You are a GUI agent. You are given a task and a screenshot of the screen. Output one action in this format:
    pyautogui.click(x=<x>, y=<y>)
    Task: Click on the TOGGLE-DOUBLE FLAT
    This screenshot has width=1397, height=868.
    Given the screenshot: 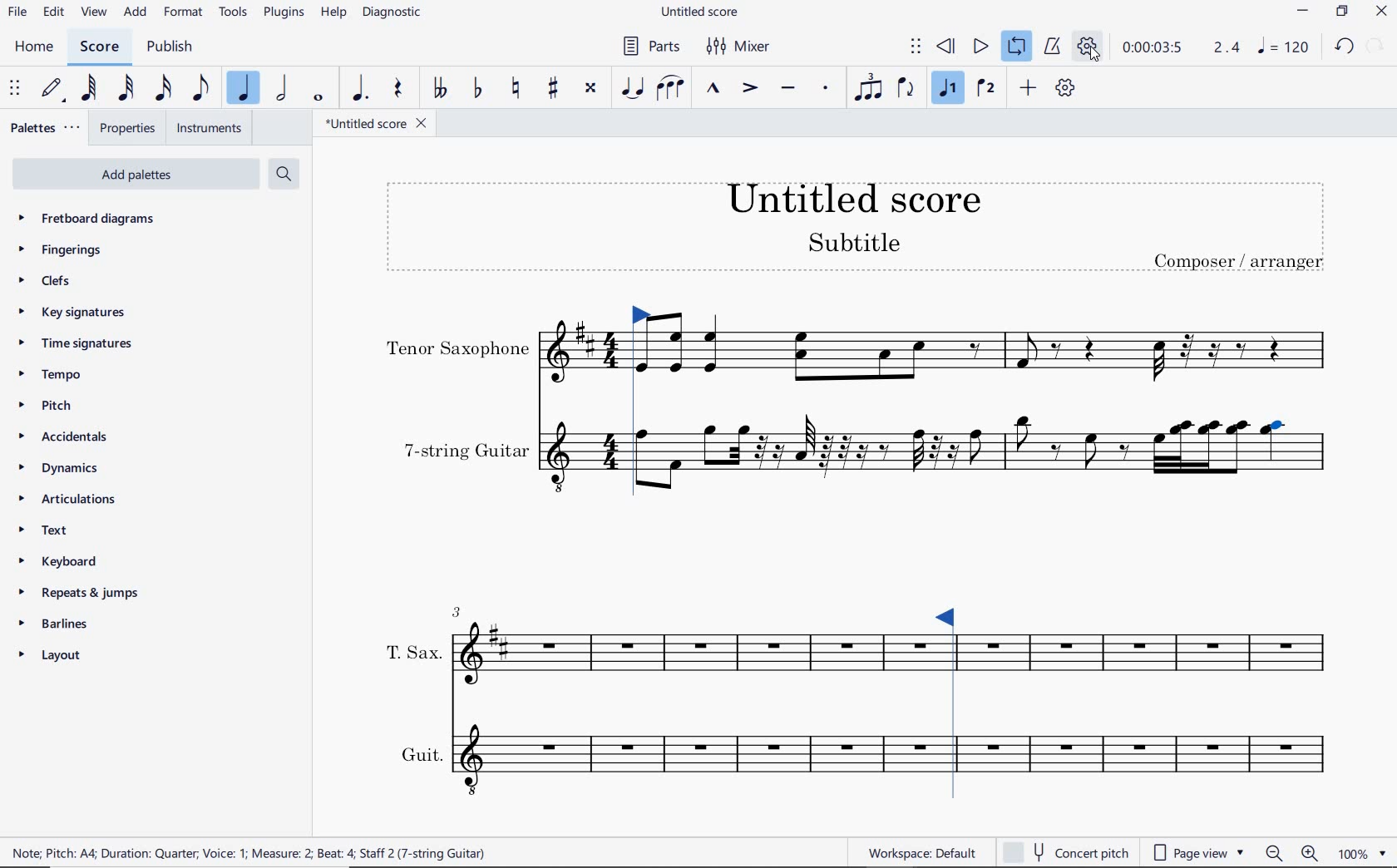 What is the action you would take?
    pyautogui.click(x=439, y=90)
    